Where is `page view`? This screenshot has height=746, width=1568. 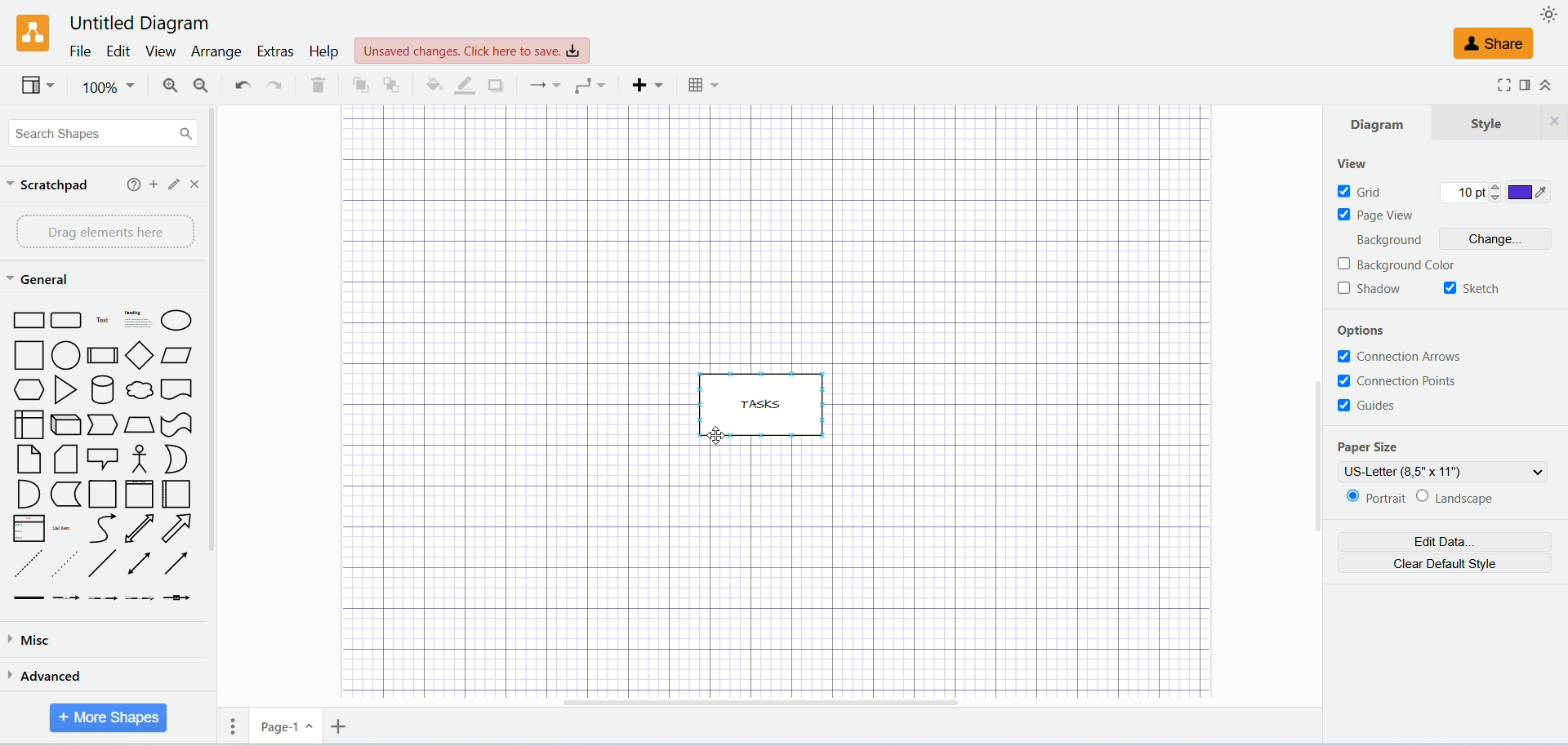 page view is located at coordinates (1376, 213).